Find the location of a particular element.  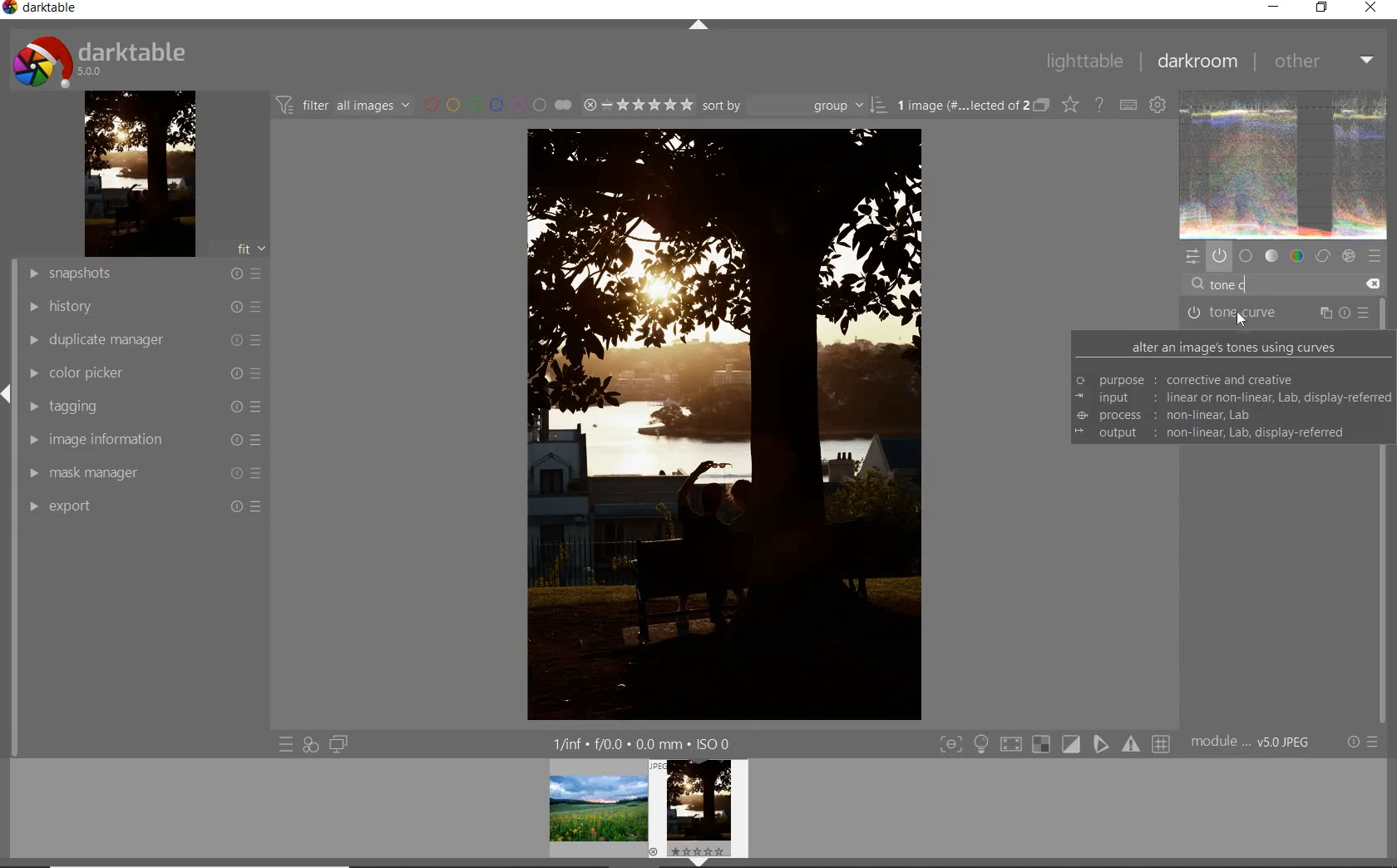

color is located at coordinates (1298, 254).